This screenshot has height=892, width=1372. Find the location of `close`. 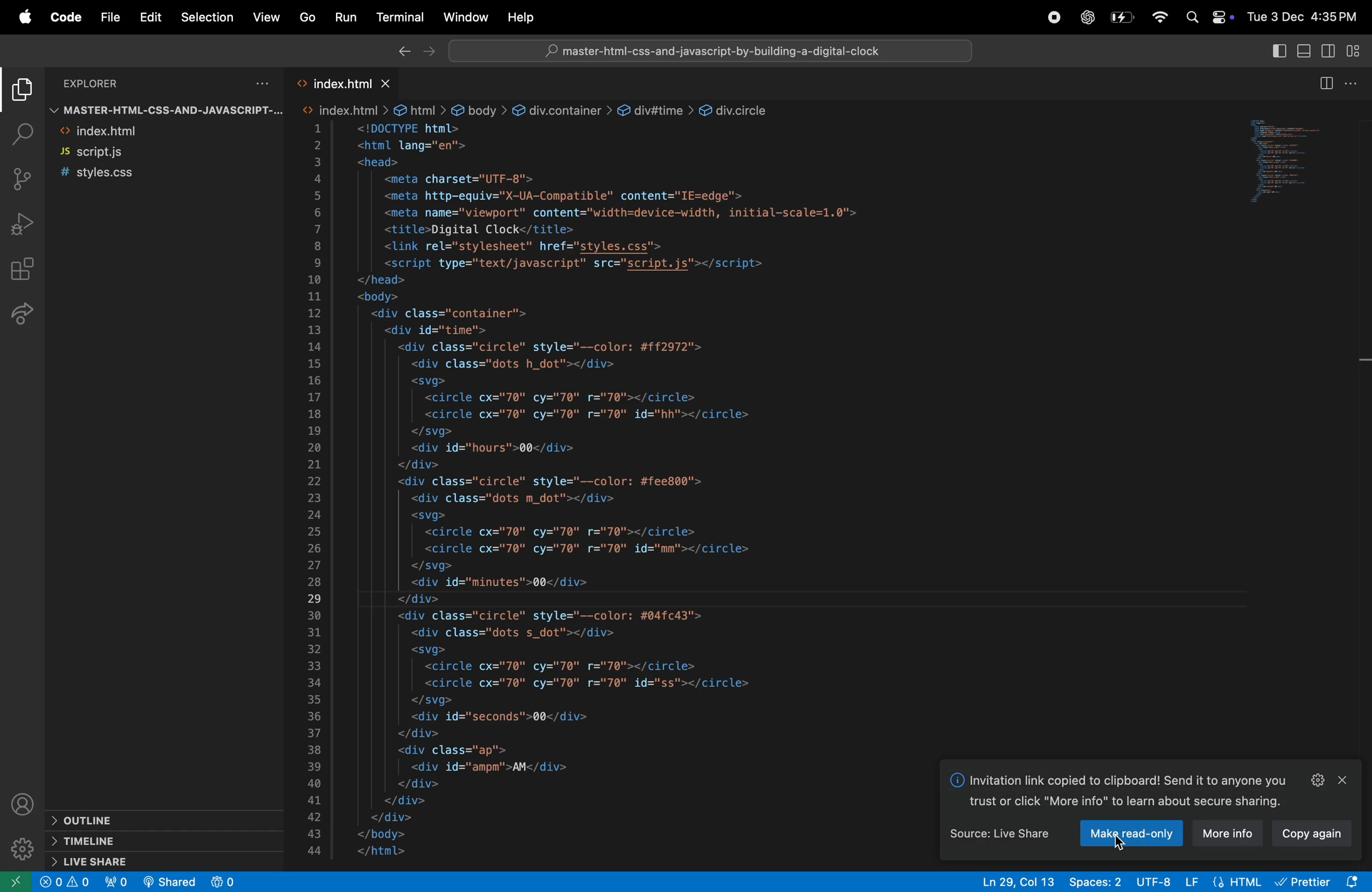

close is located at coordinates (1348, 779).